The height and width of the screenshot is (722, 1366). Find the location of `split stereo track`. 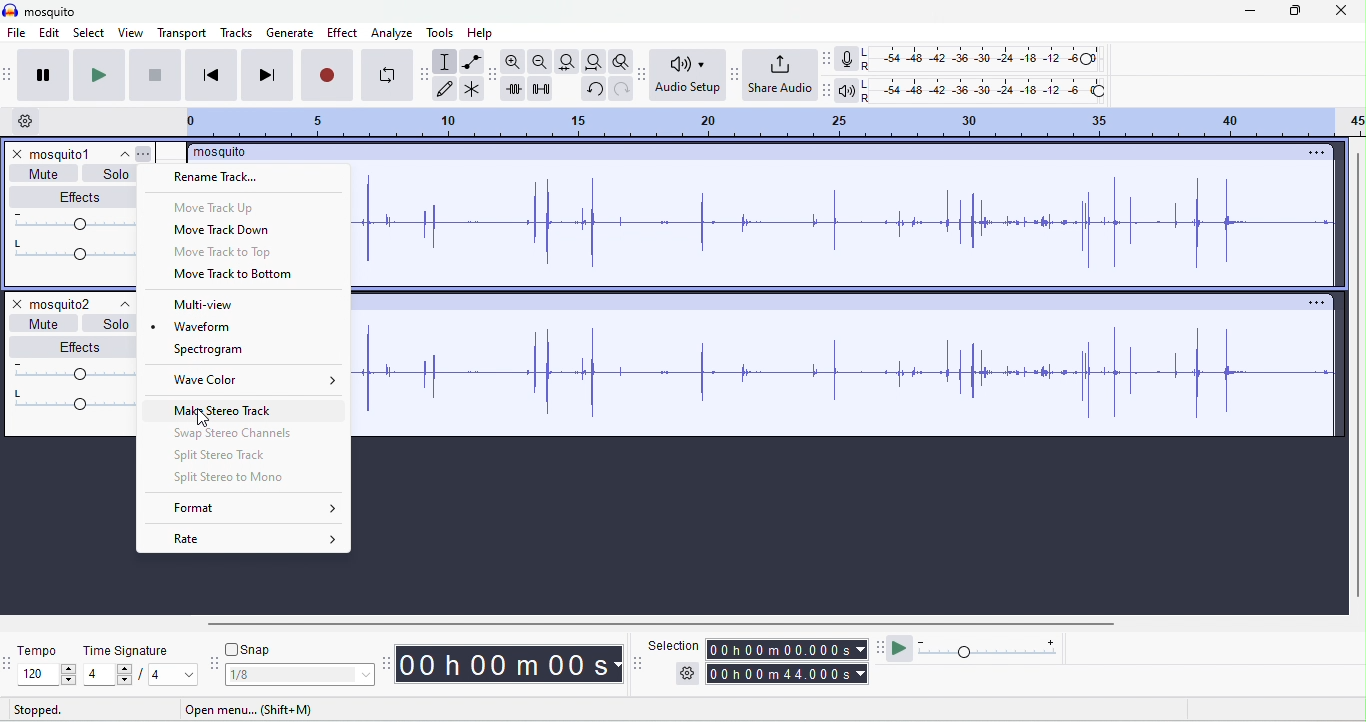

split stereo track is located at coordinates (220, 454).